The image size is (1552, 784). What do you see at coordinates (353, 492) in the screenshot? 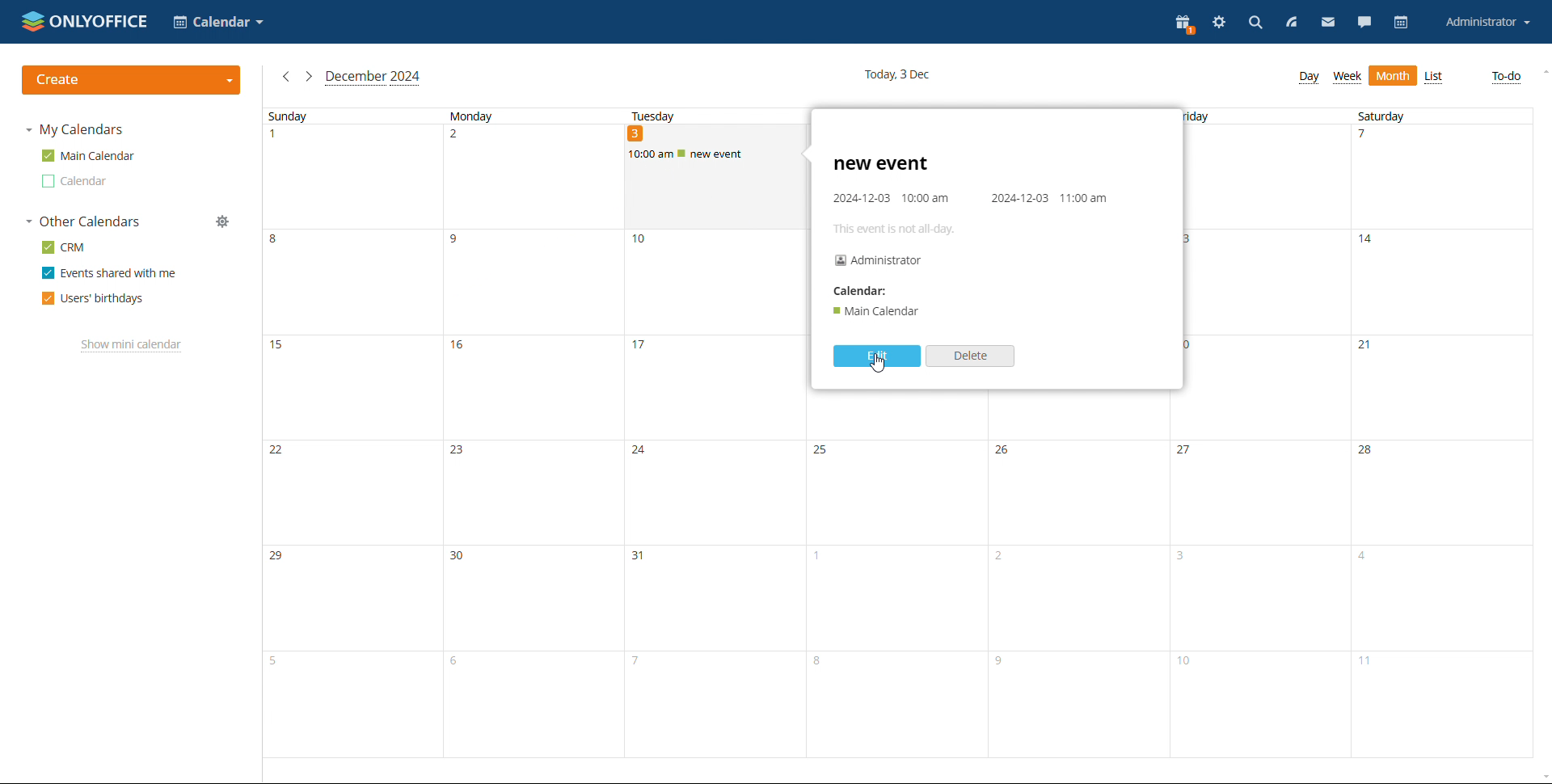
I see `22` at bounding box center [353, 492].